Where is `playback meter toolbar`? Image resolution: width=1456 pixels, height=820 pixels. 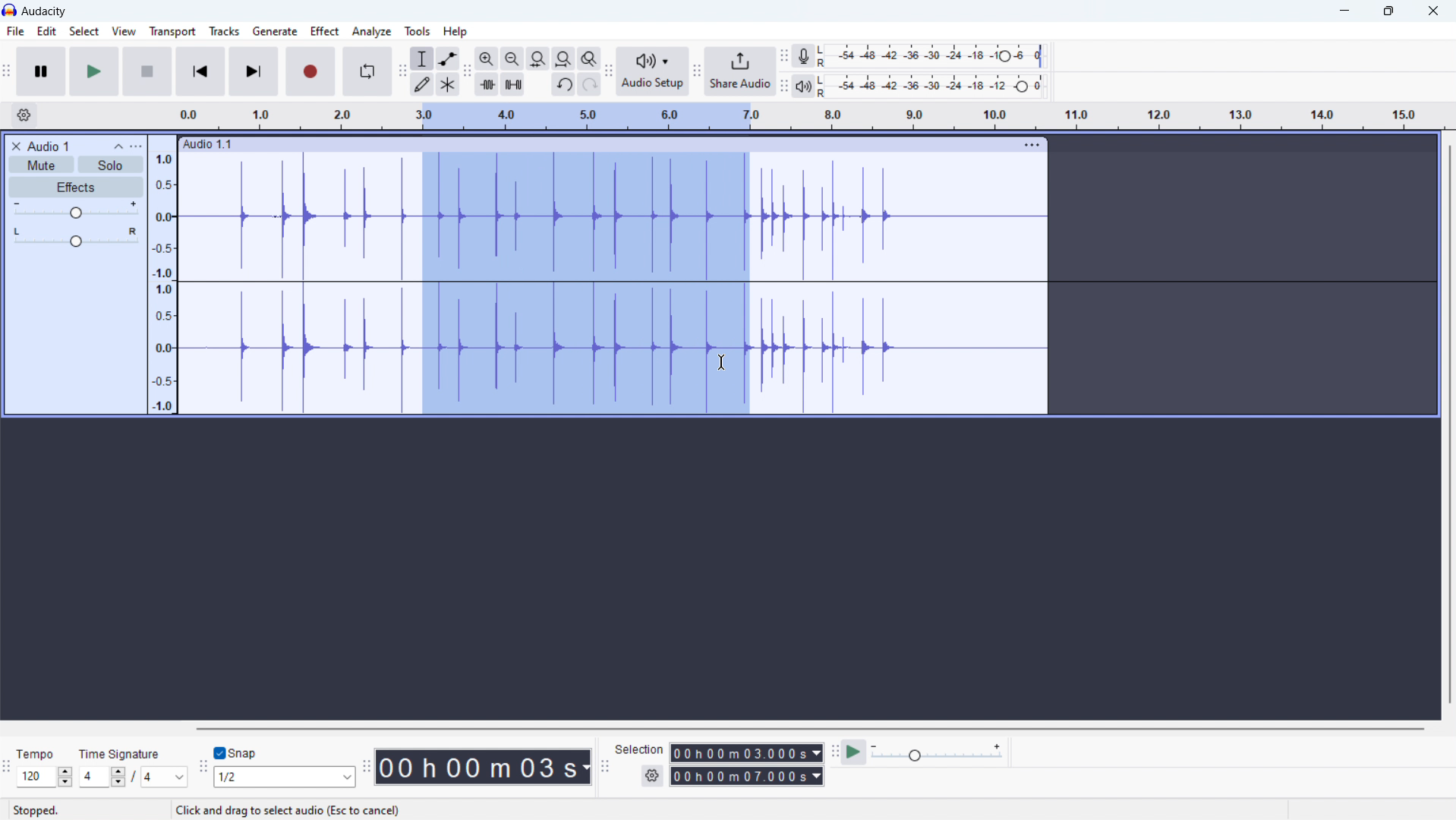 playback meter toolbar is located at coordinates (784, 87).